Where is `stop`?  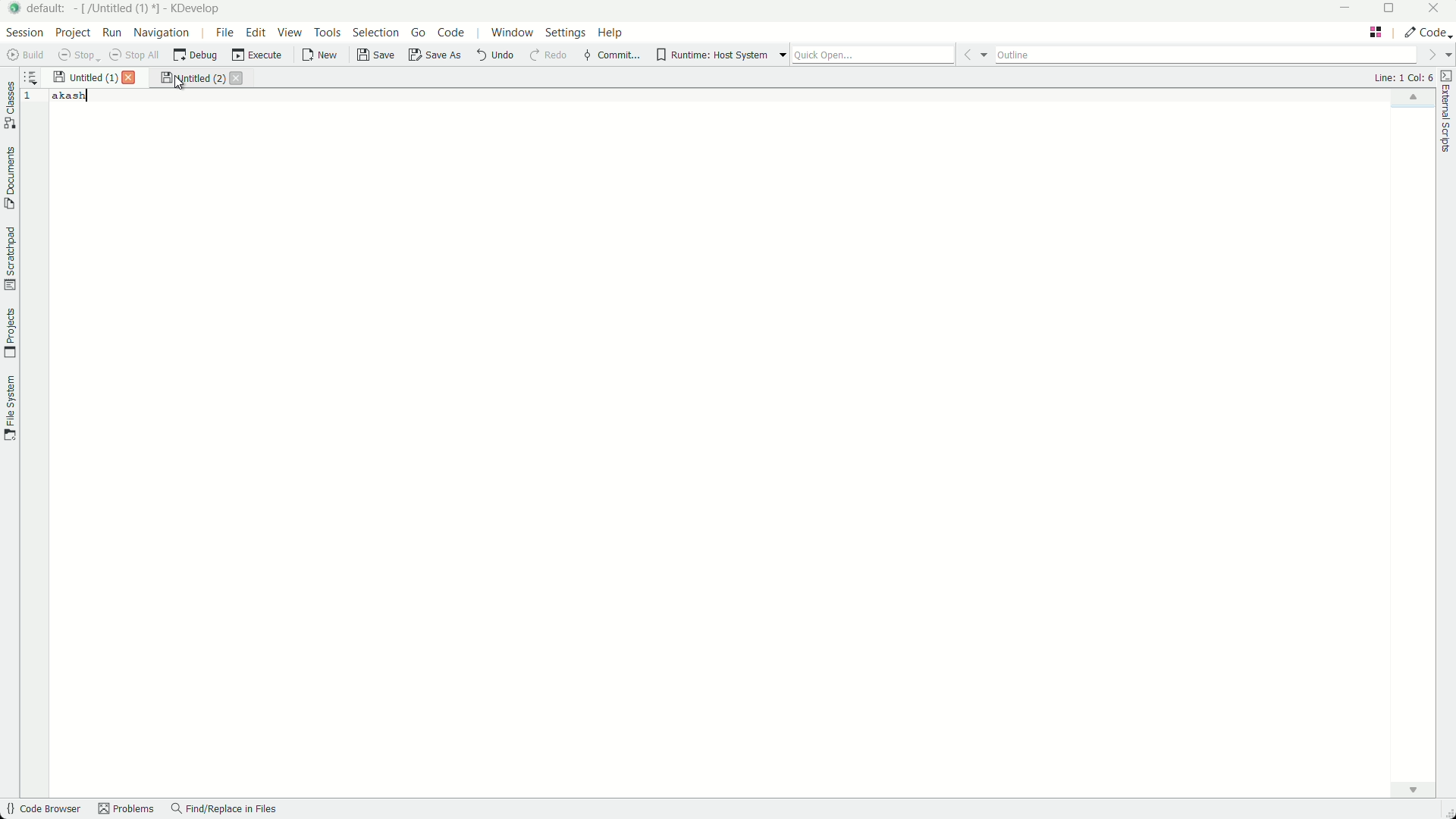
stop is located at coordinates (74, 56).